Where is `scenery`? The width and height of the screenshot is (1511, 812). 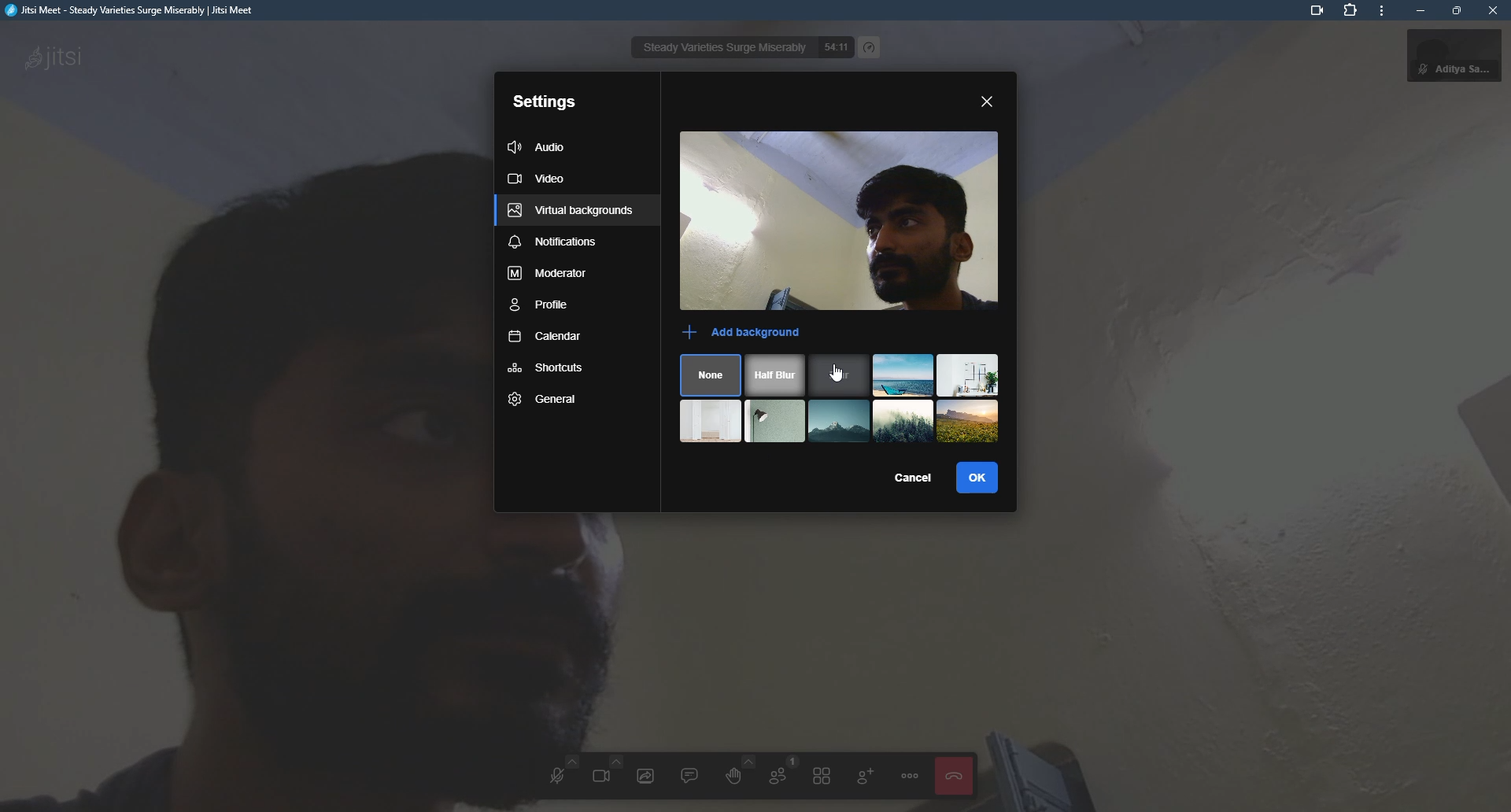
scenery is located at coordinates (903, 376).